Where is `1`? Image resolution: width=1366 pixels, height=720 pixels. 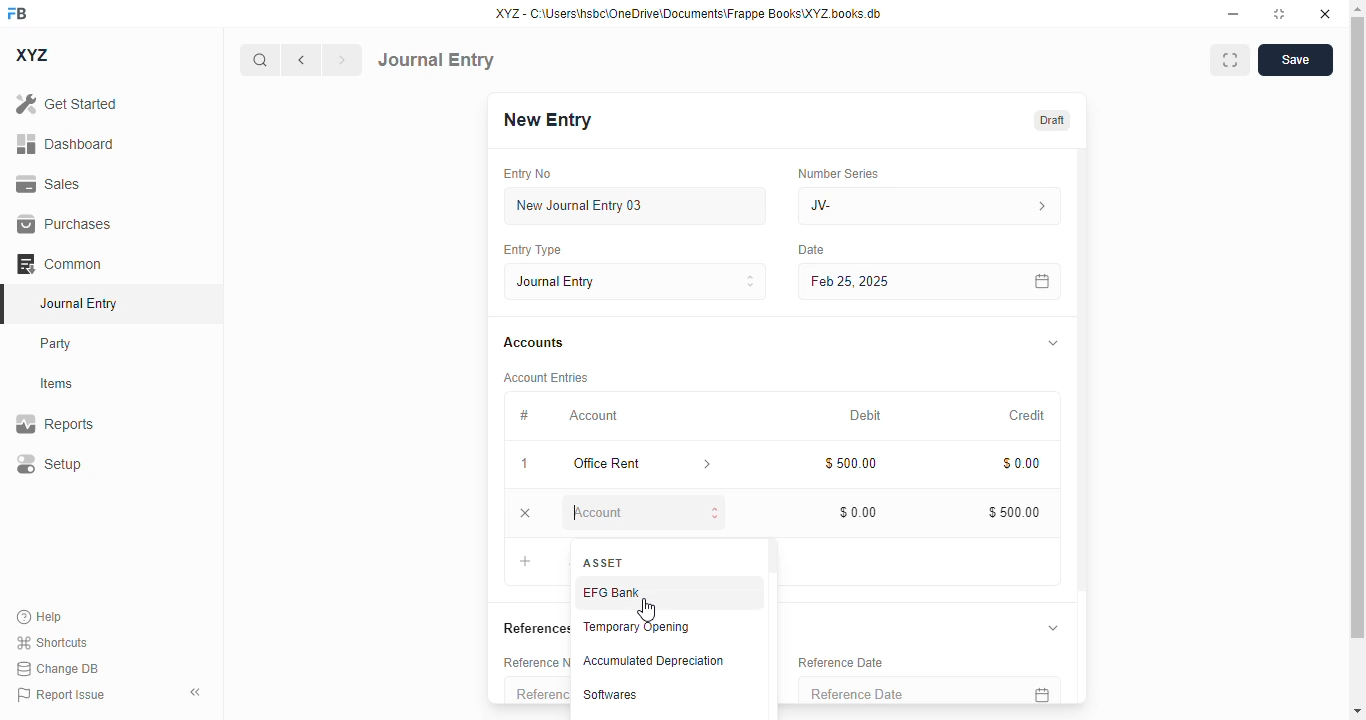
1 is located at coordinates (524, 463).